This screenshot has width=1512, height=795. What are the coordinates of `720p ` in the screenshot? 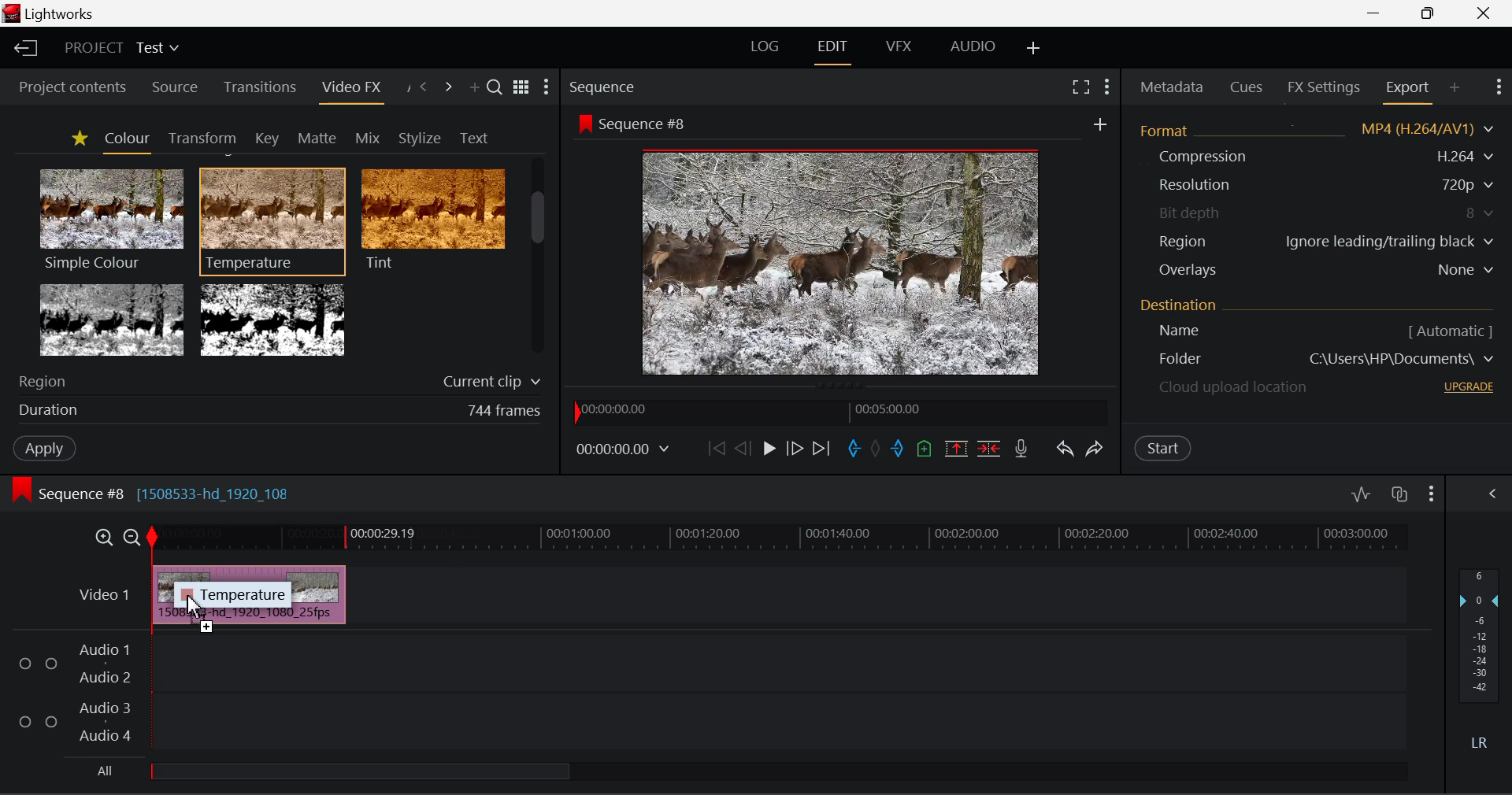 It's located at (1469, 184).